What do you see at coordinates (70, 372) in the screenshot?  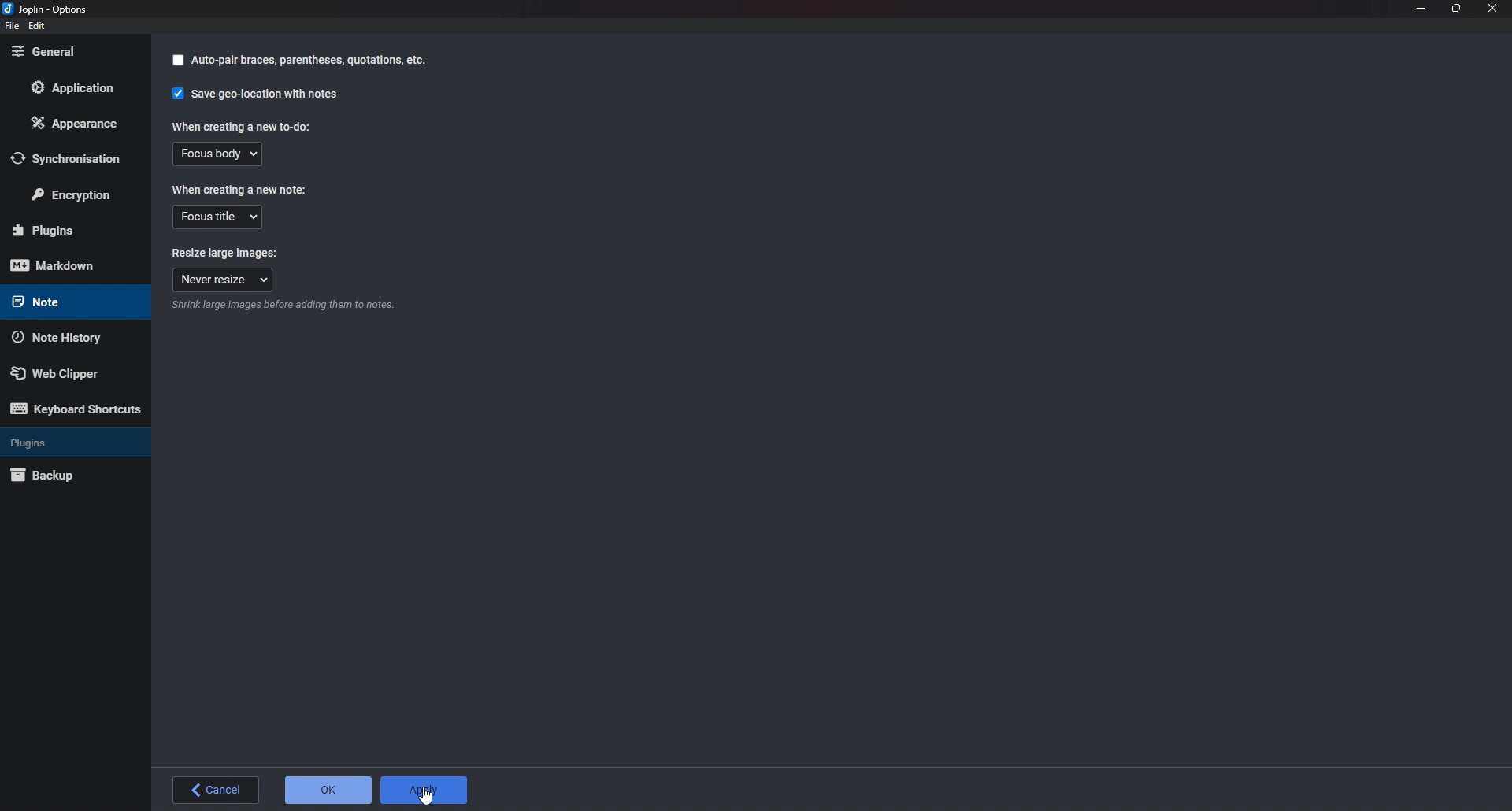 I see `Web Clipper` at bounding box center [70, 372].